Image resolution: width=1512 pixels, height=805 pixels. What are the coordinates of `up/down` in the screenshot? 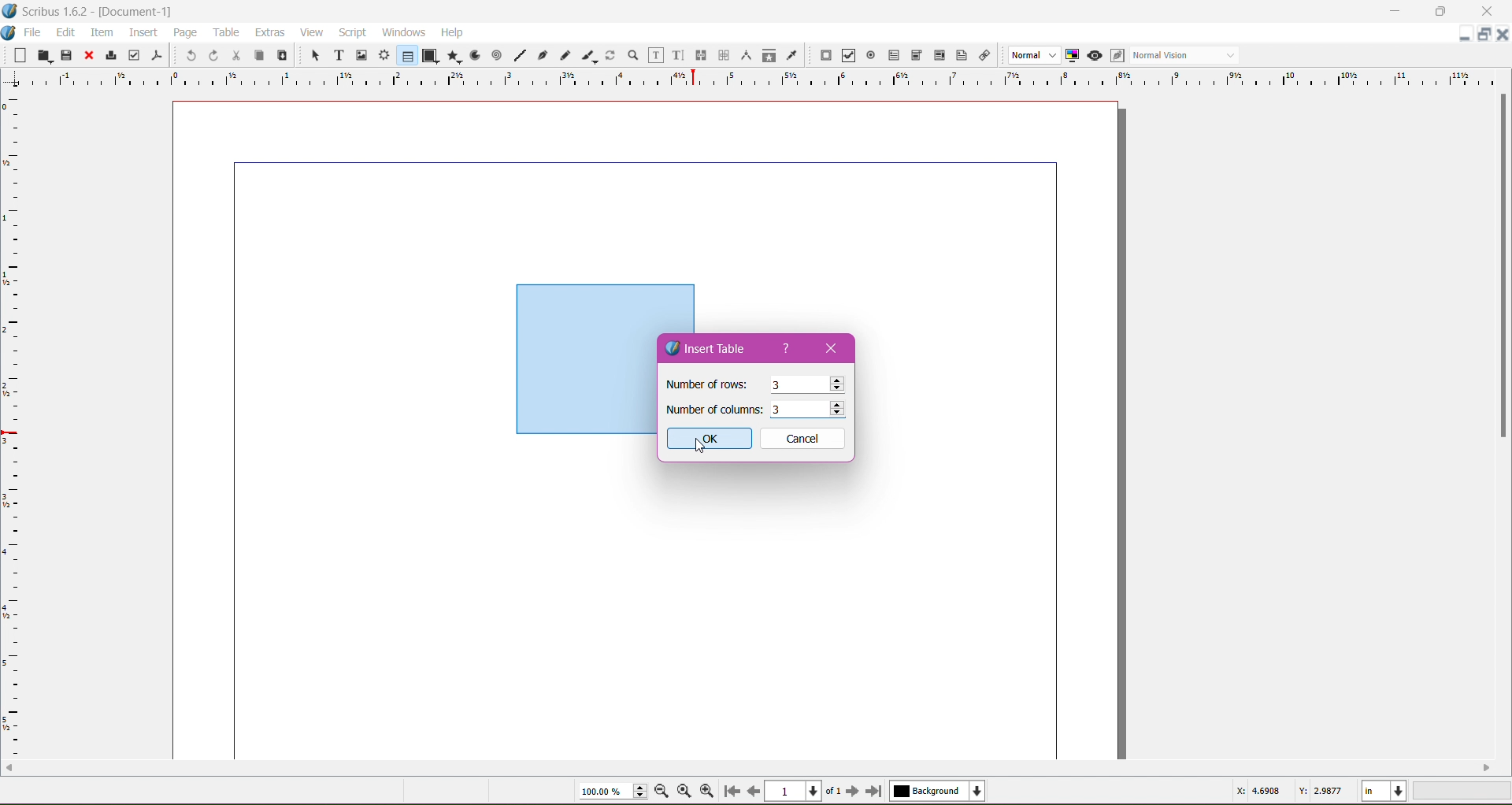 It's located at (839, 410).